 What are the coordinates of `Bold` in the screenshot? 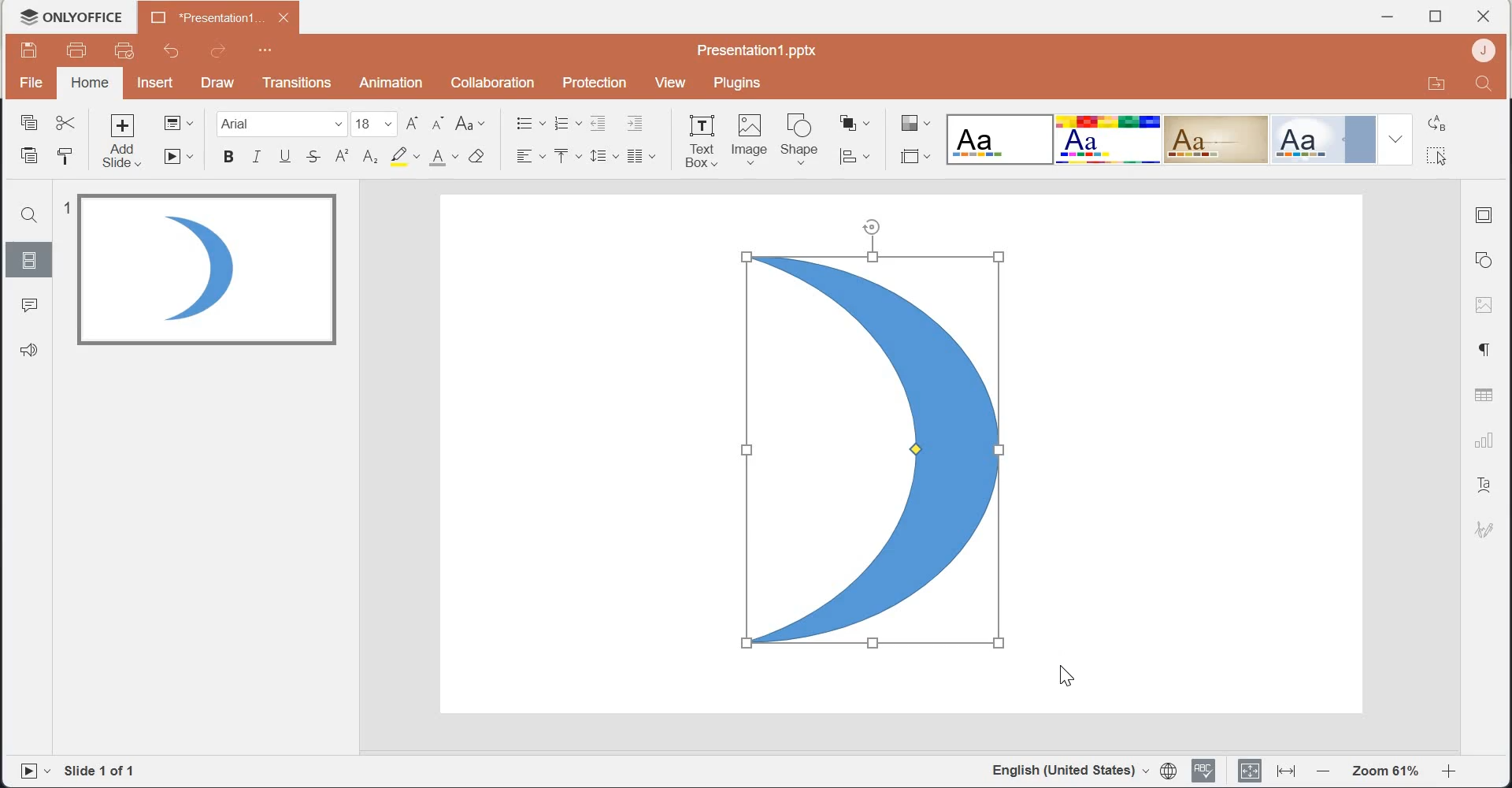 It's located at (229, 157).